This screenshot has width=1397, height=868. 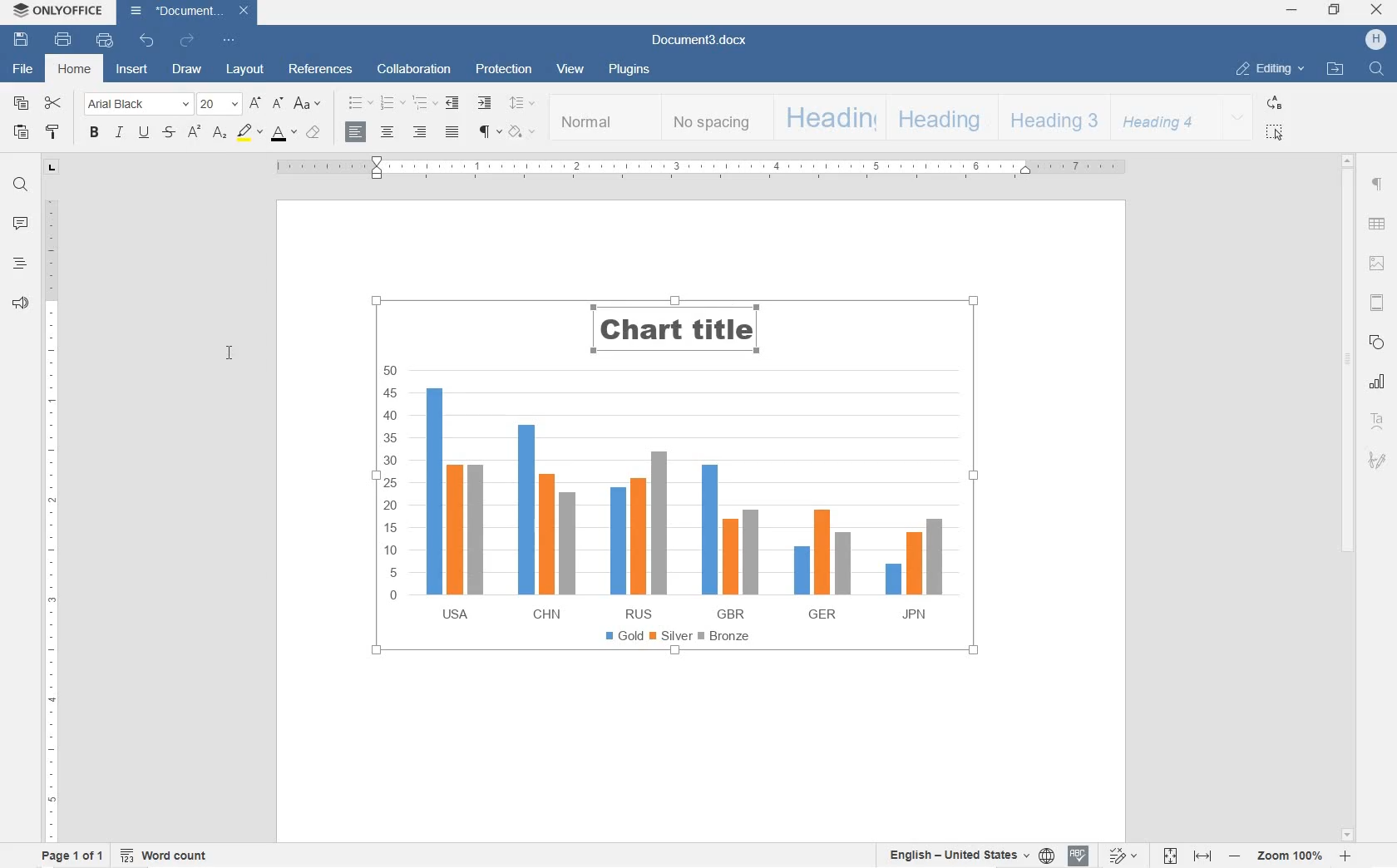 What do you see at coordinates (605, 117) in the screenshot?
I see `NORMAL` at bounding box center [605, 117].